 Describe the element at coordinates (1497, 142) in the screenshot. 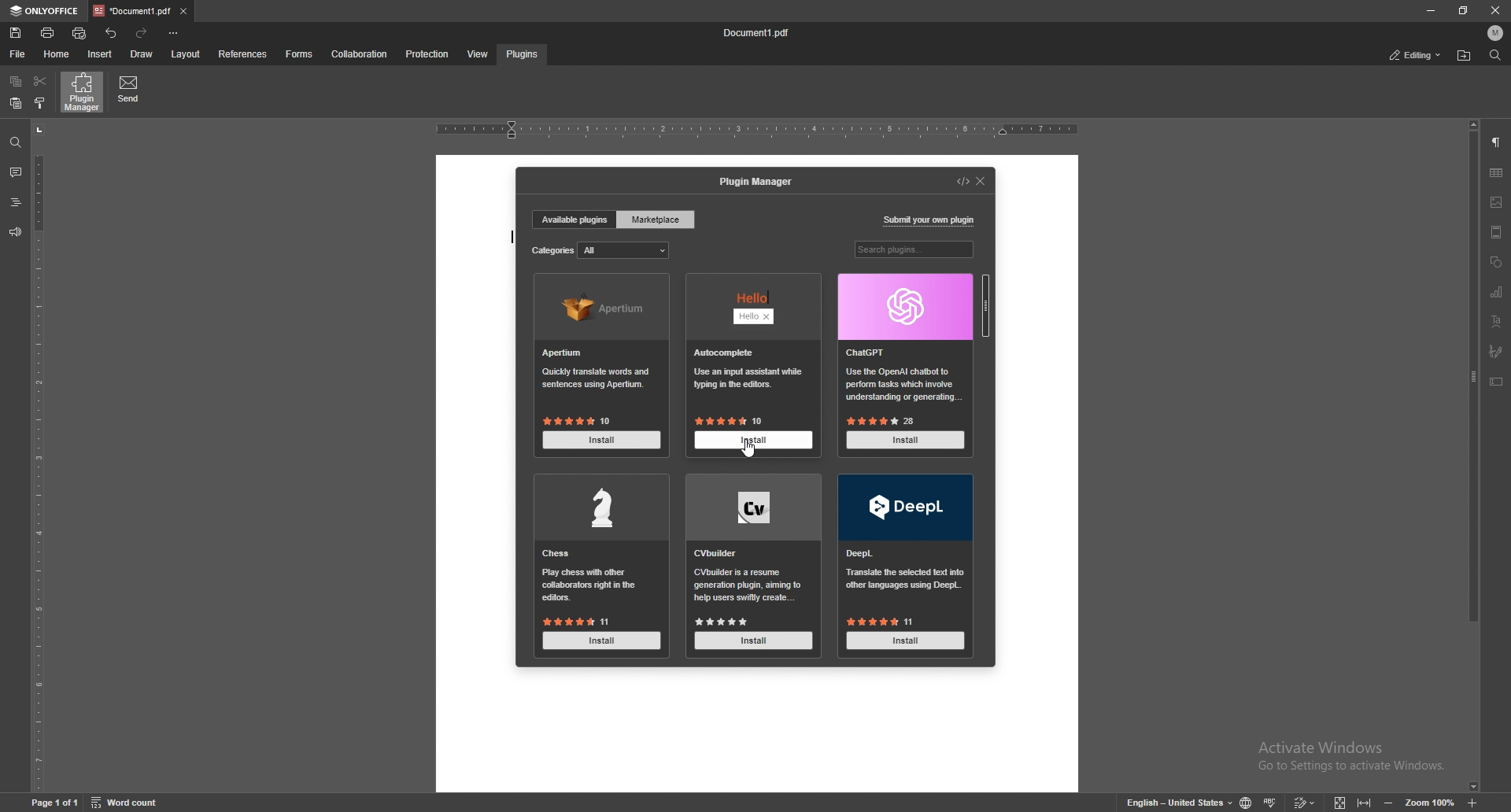

I see `paragraph` at that location.